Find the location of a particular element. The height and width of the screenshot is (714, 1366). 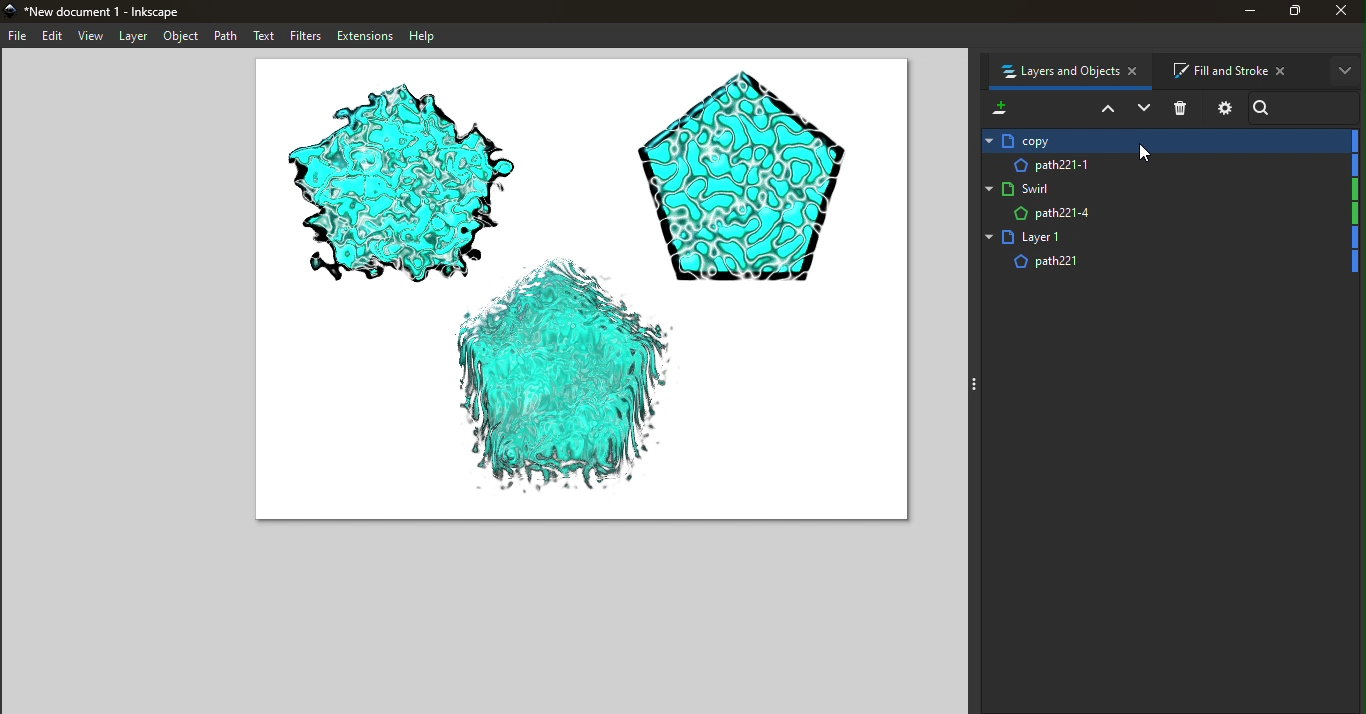

Minimize is located at coordinates (1247, 12).